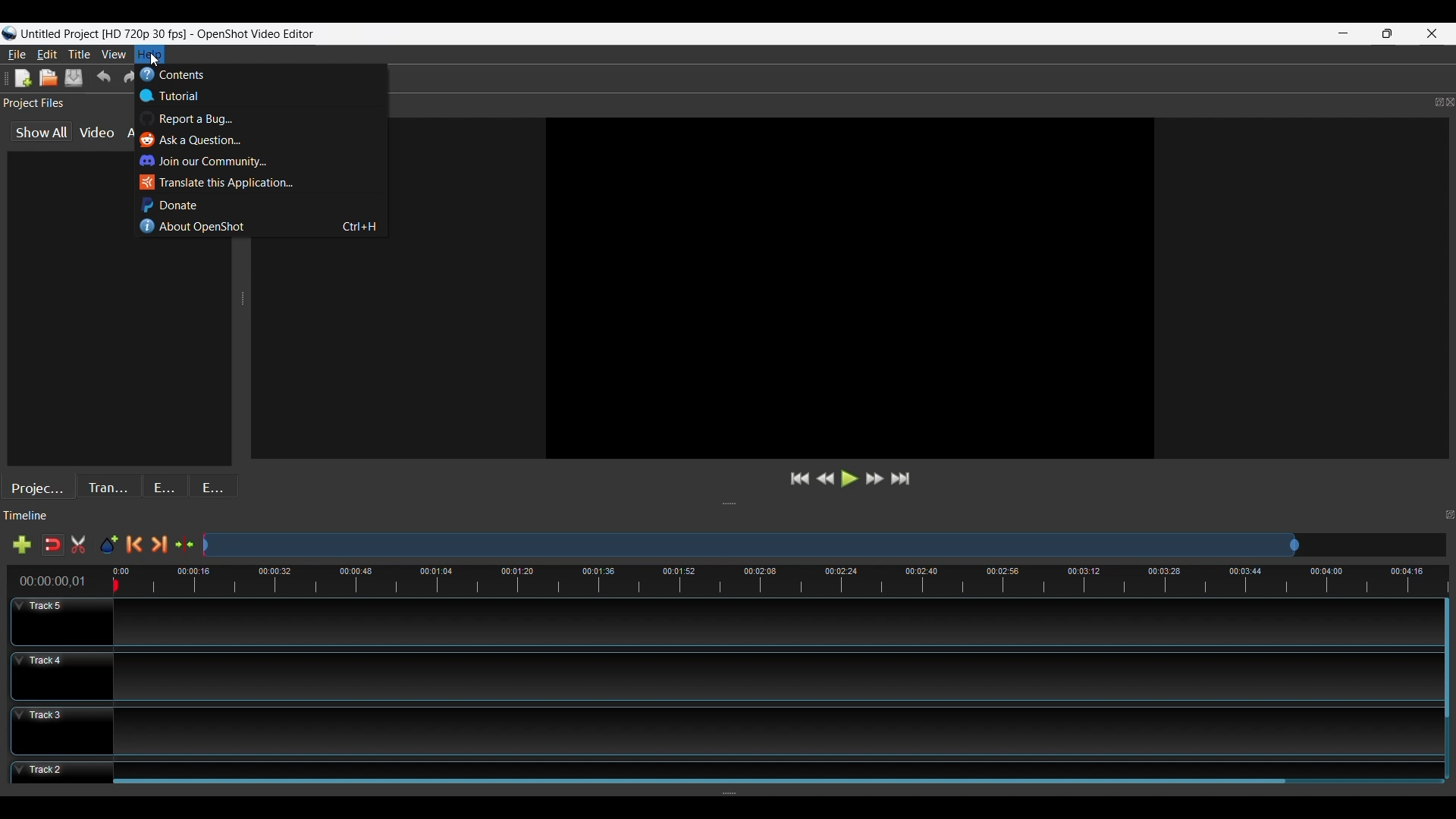 The height and width of the screenshot is (819, 1456). What do you see at coordinates (52, 544) in the screenshot?
I see `Razor` at bounding box center [52, 544].